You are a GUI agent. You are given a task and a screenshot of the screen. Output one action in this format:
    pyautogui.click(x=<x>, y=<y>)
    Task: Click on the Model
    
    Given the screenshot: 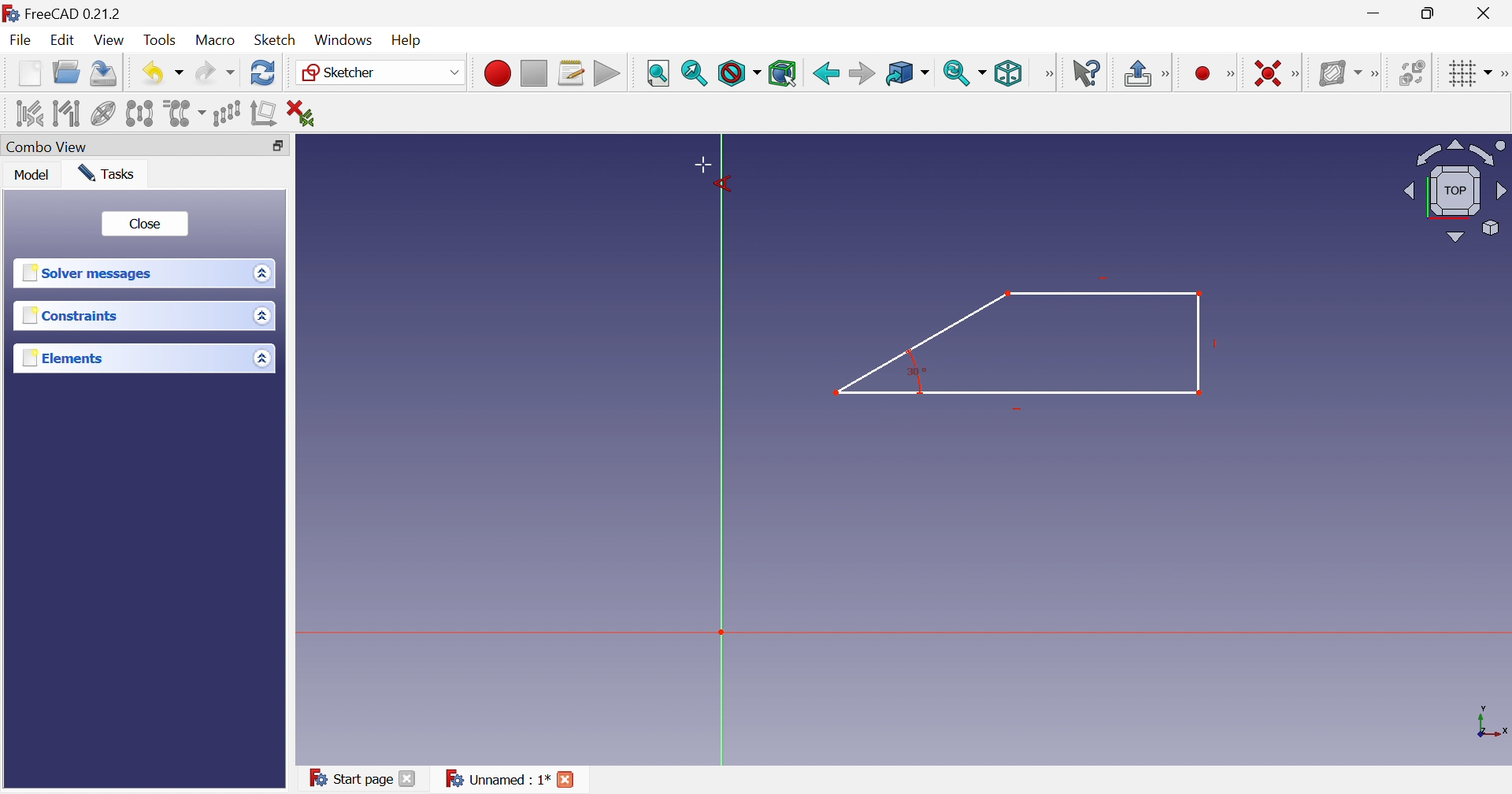 What is the action you would take?
    pyautogui.click(x=35, y=176)
    